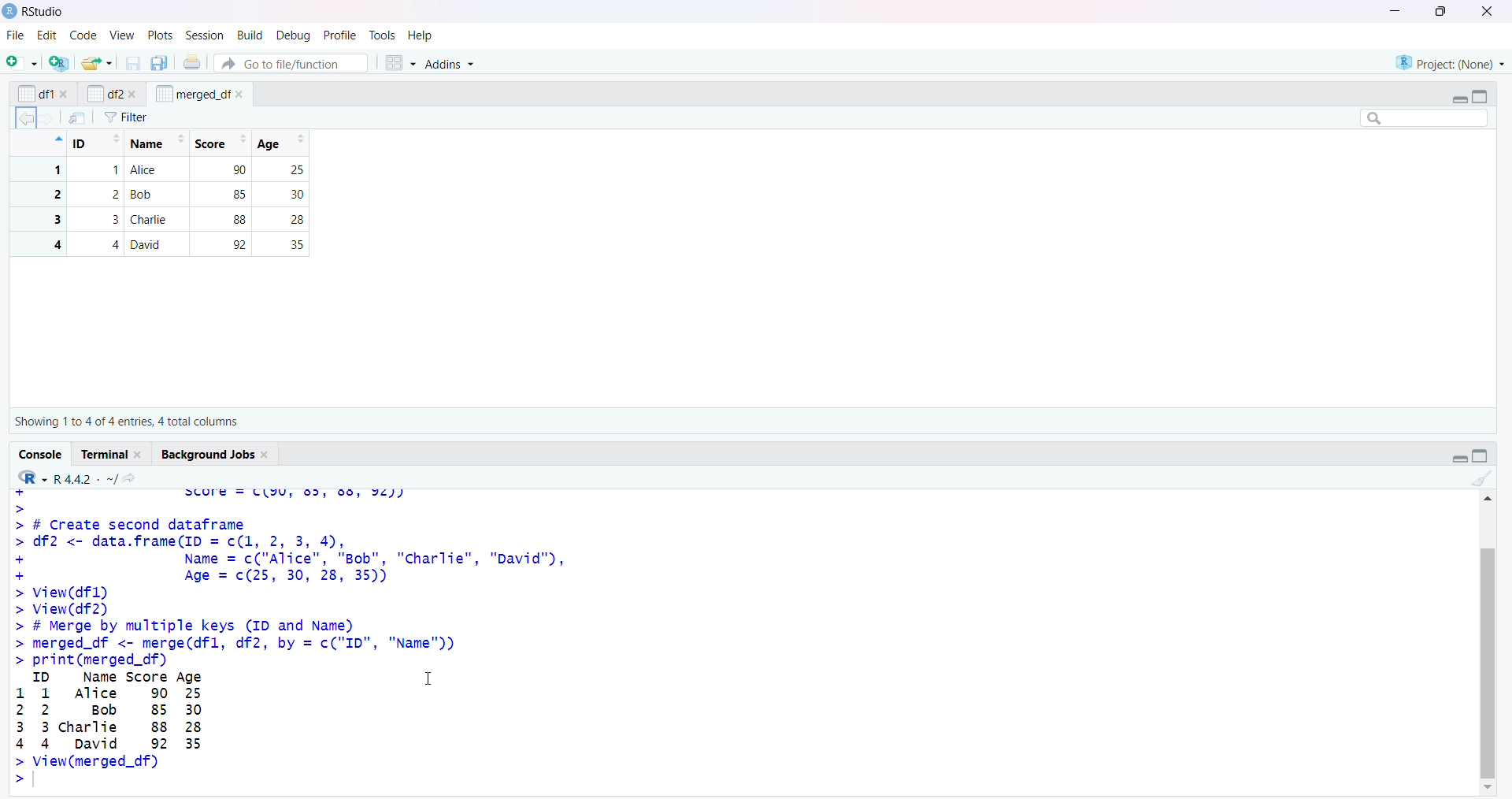 Image resolution: width=1512 pixels, height=799 pixels. What do you see at coordinates (295, 36) in the screenshot?
I see `debug` at bounding box center [295, 36].